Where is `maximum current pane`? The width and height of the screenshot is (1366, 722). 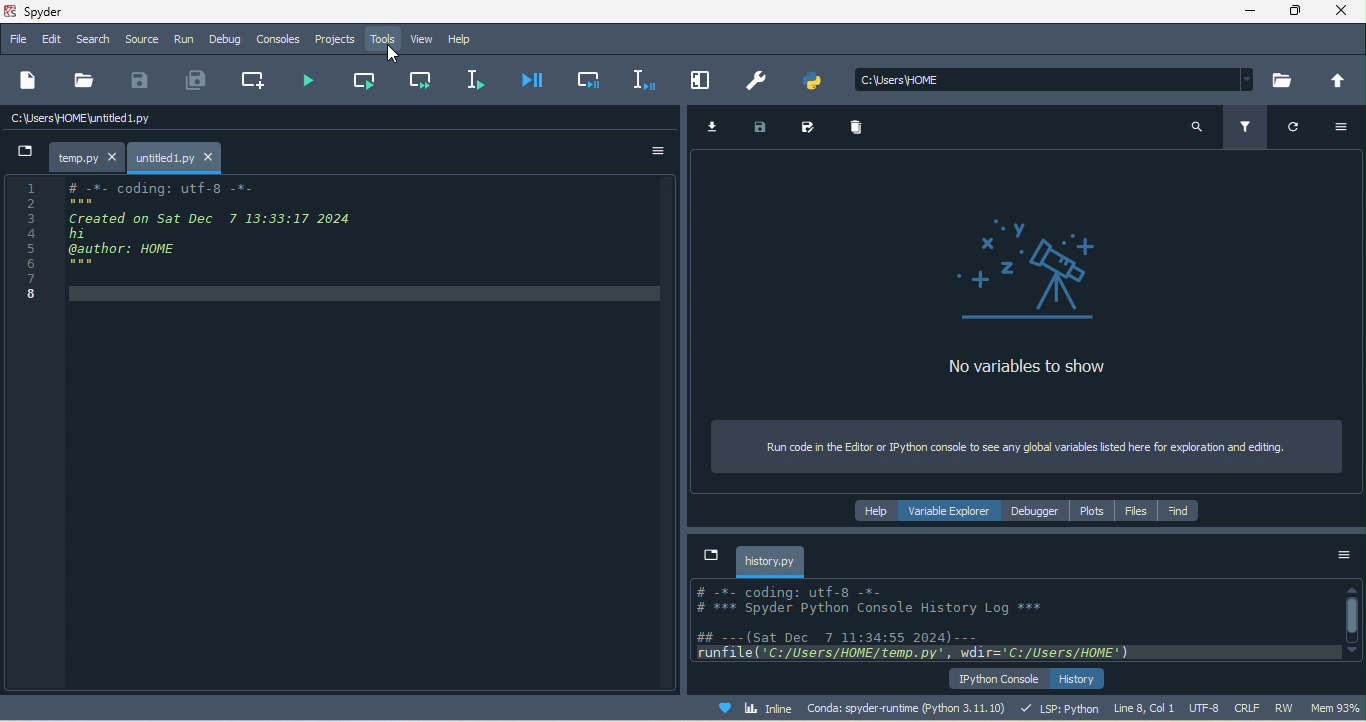 maximum current pane is located at coordinates (704, 80).